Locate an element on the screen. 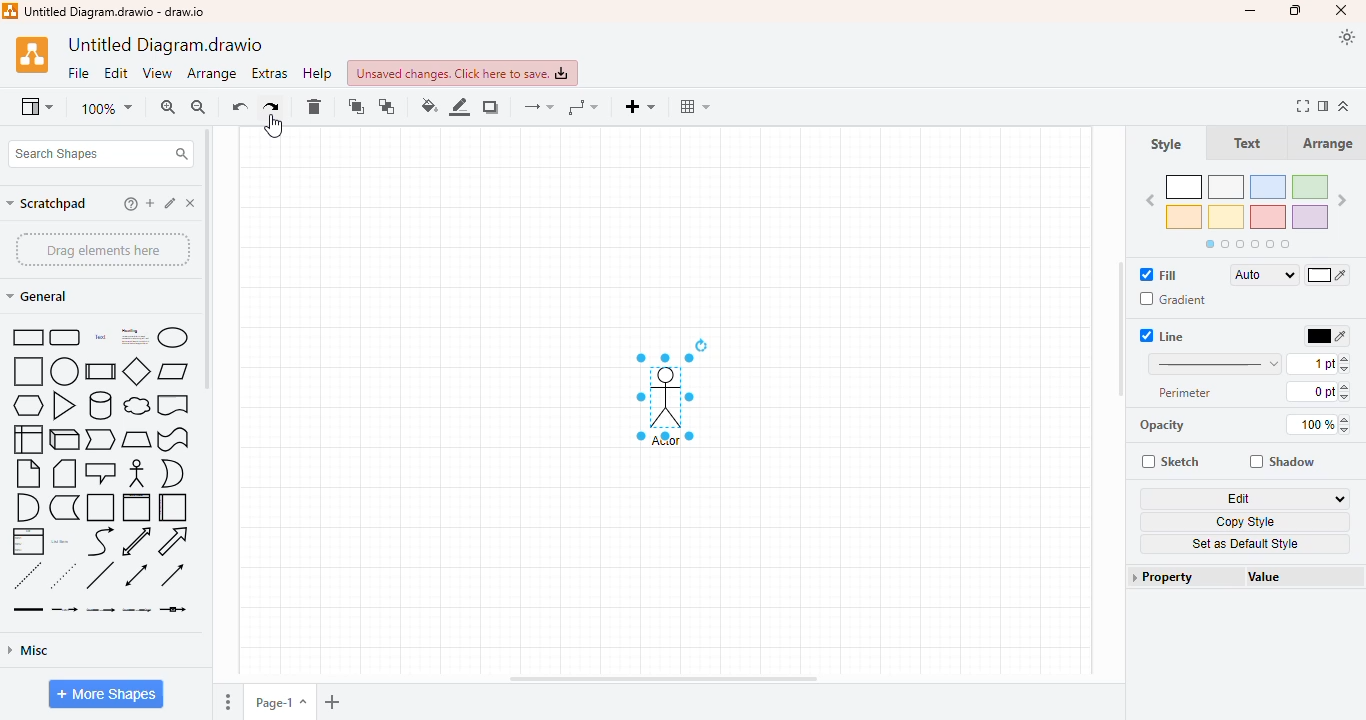  edit is located at coordinates (1246, 499).